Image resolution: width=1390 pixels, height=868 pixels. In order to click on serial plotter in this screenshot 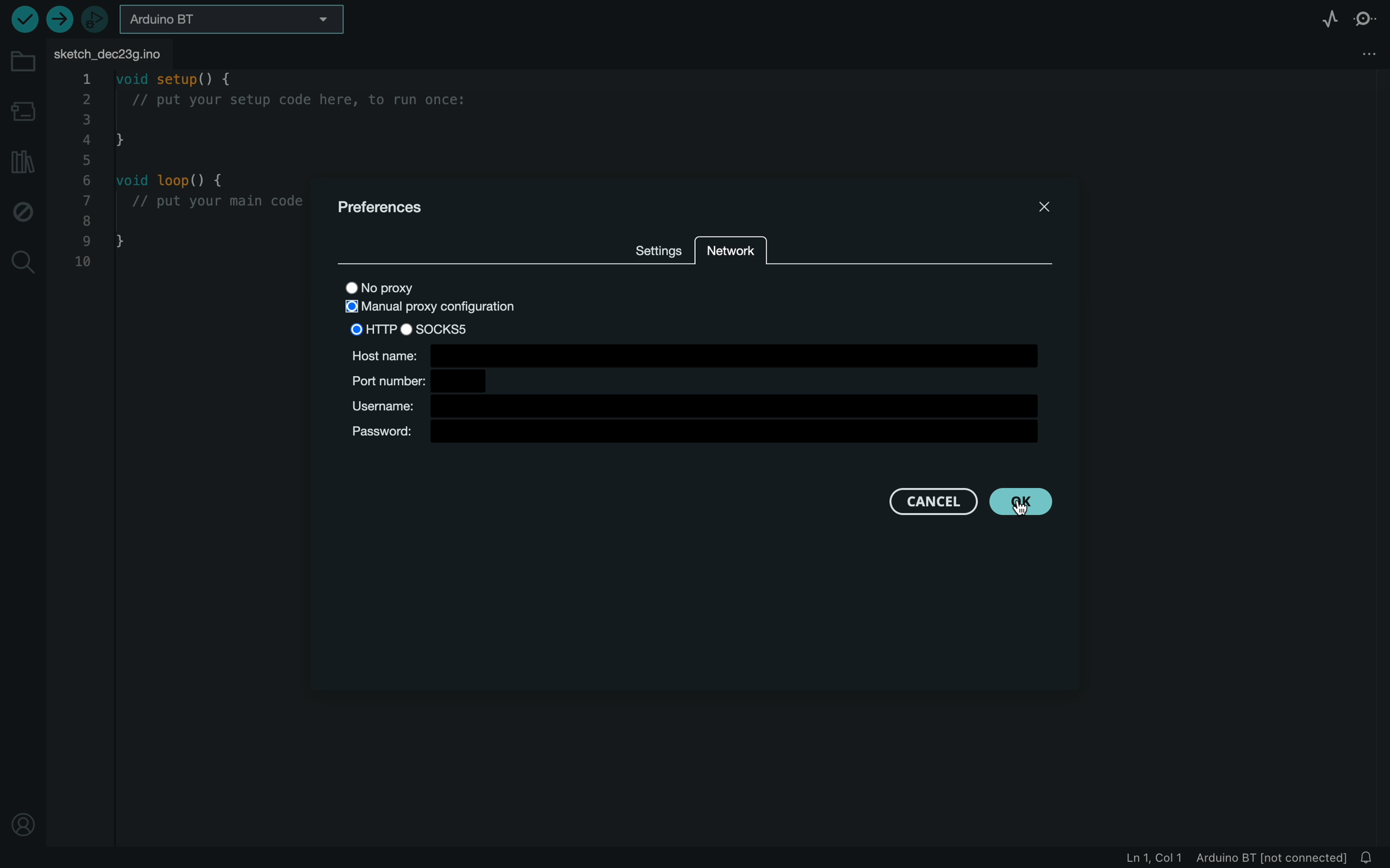, I will do `click(1323, 18)`.